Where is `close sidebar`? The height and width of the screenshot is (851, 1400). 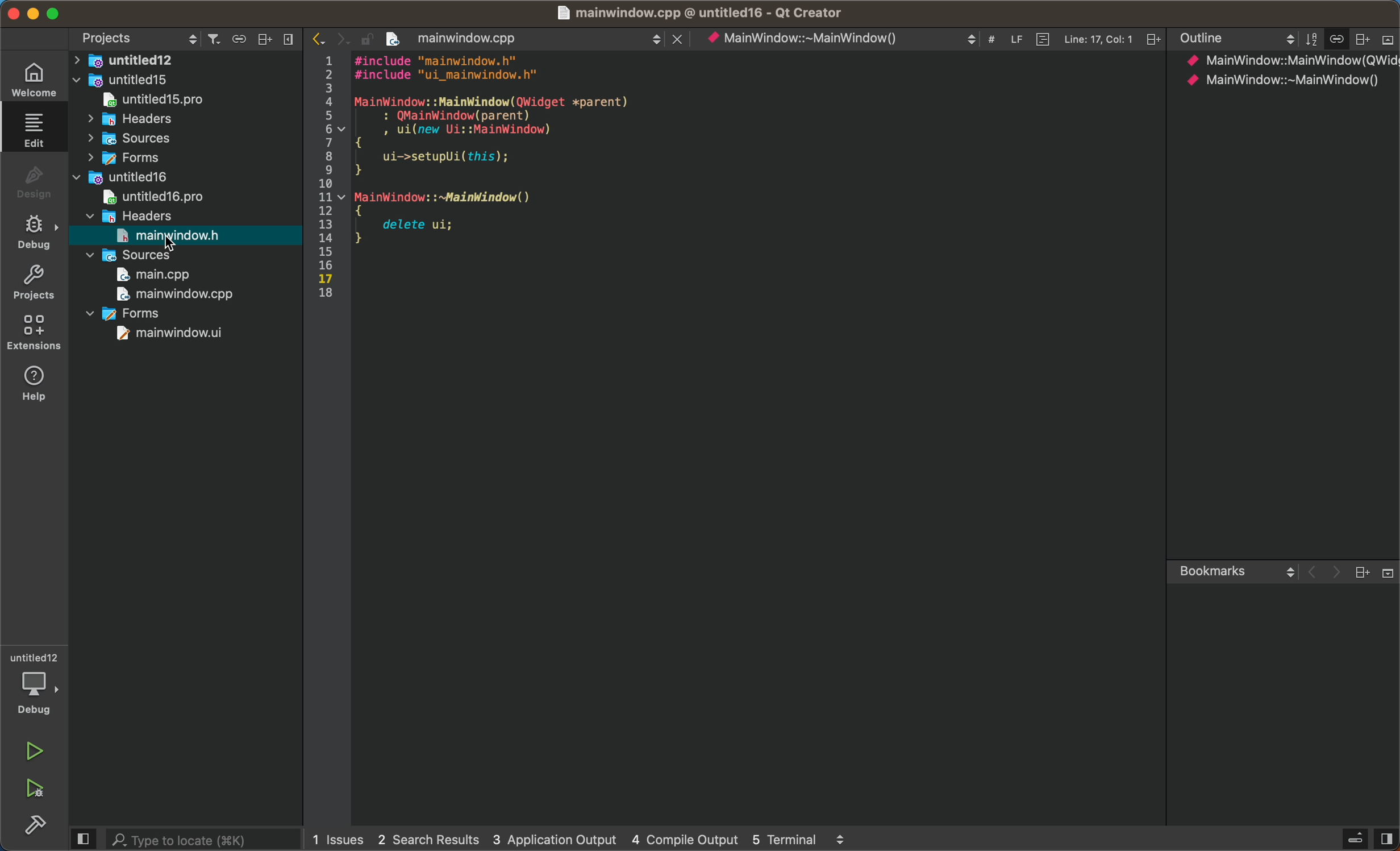 close sidebar is located at coordinates (1366, 837).